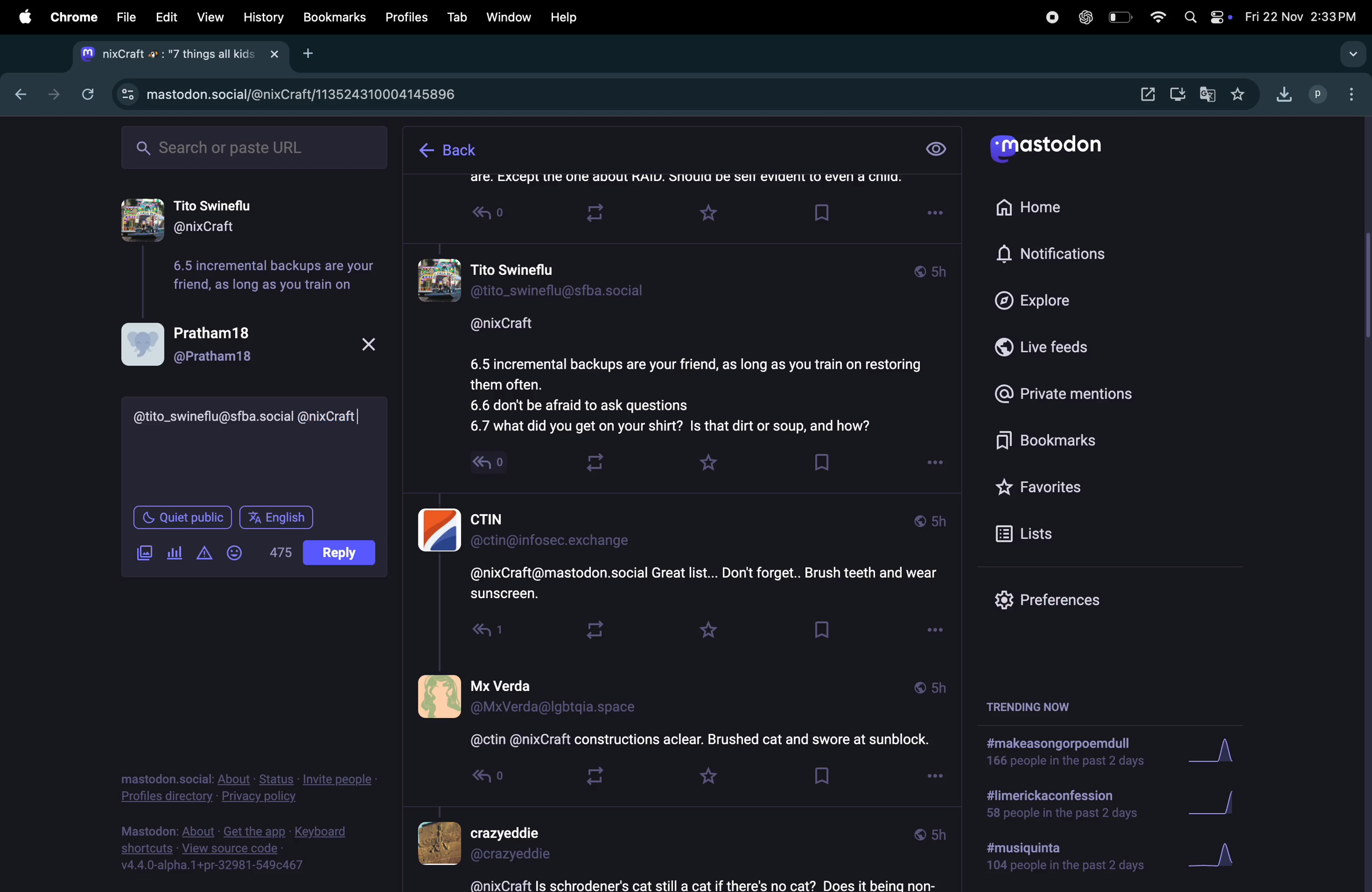  Describe the element at coordinates (1056, 600) in the screenshot. I see `prefrences` at that location.